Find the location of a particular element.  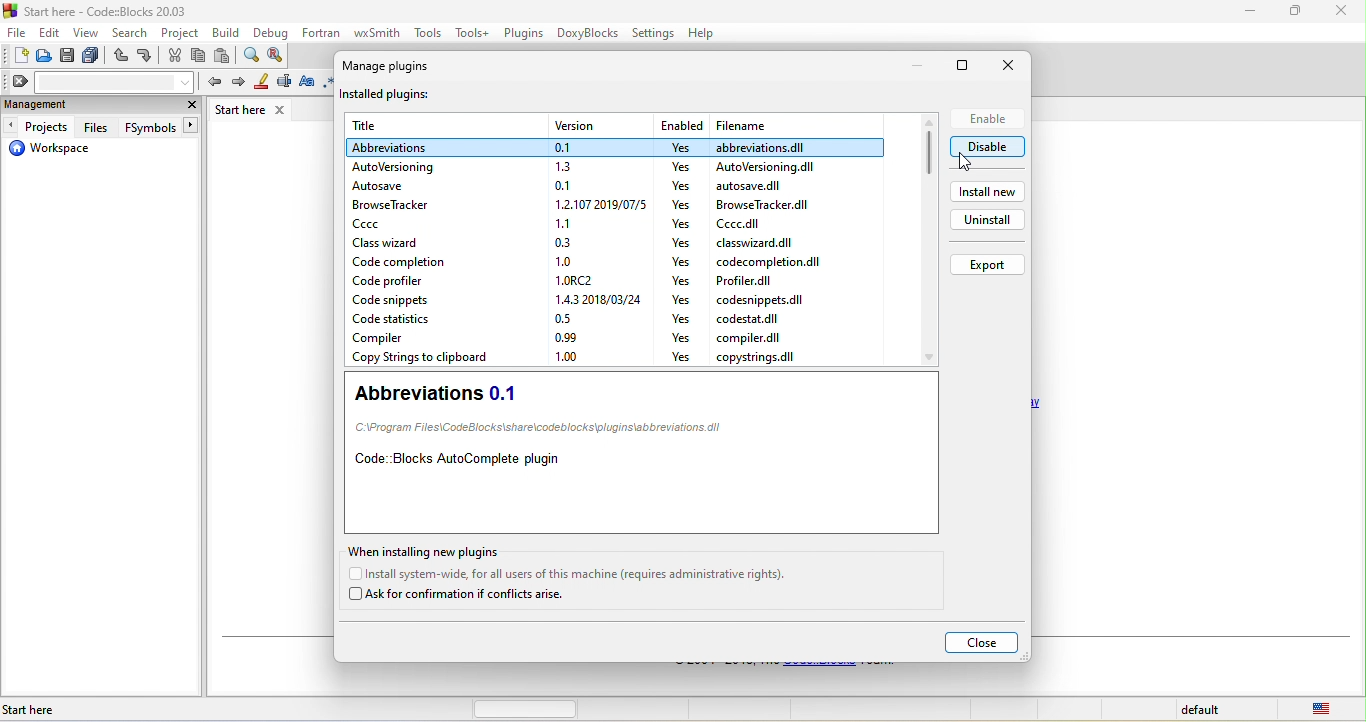

view is located at coordinates (86, 32).